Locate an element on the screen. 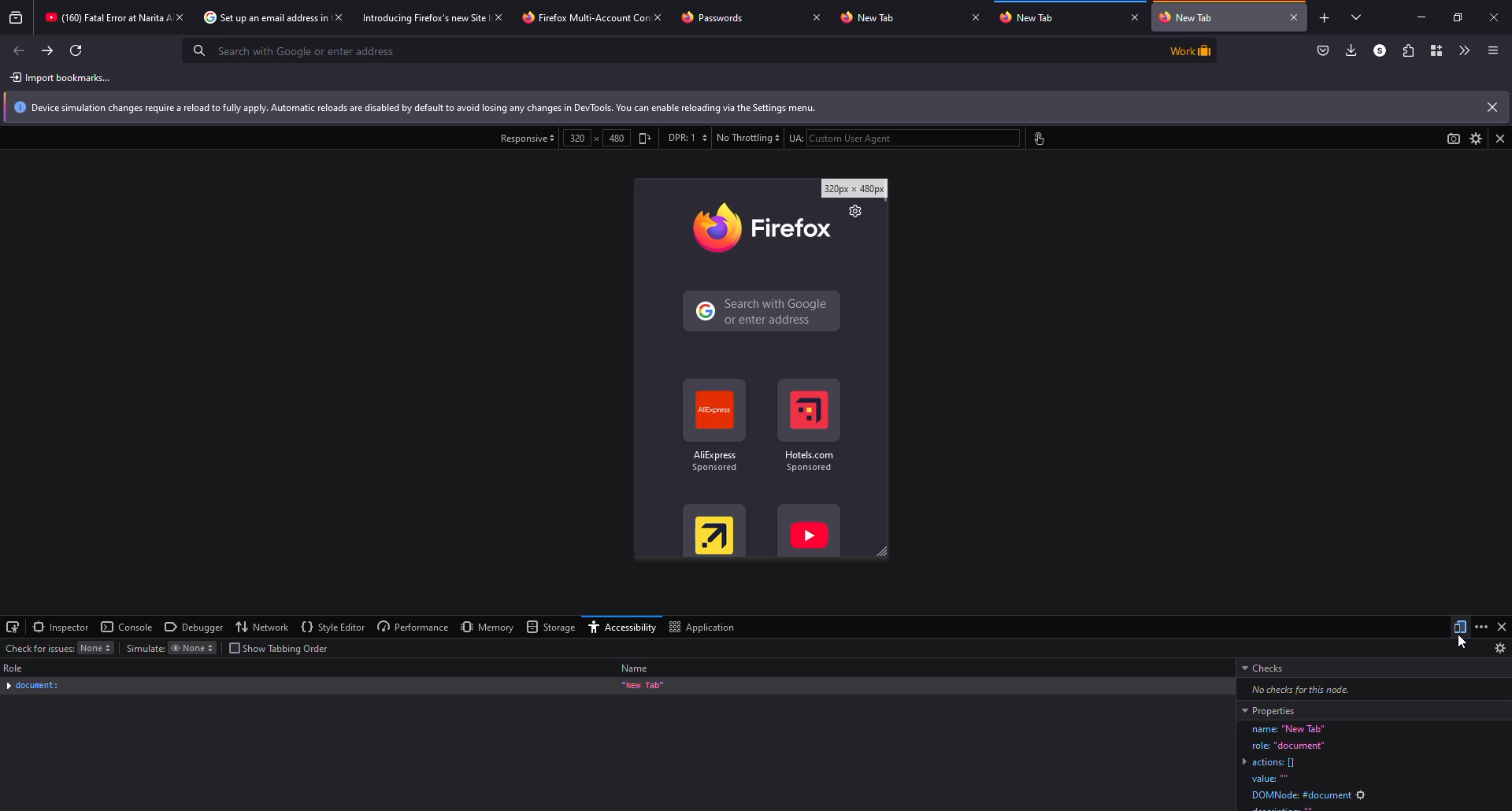 The image size is (1512, 811). tab is located at coordinates (871, 18).